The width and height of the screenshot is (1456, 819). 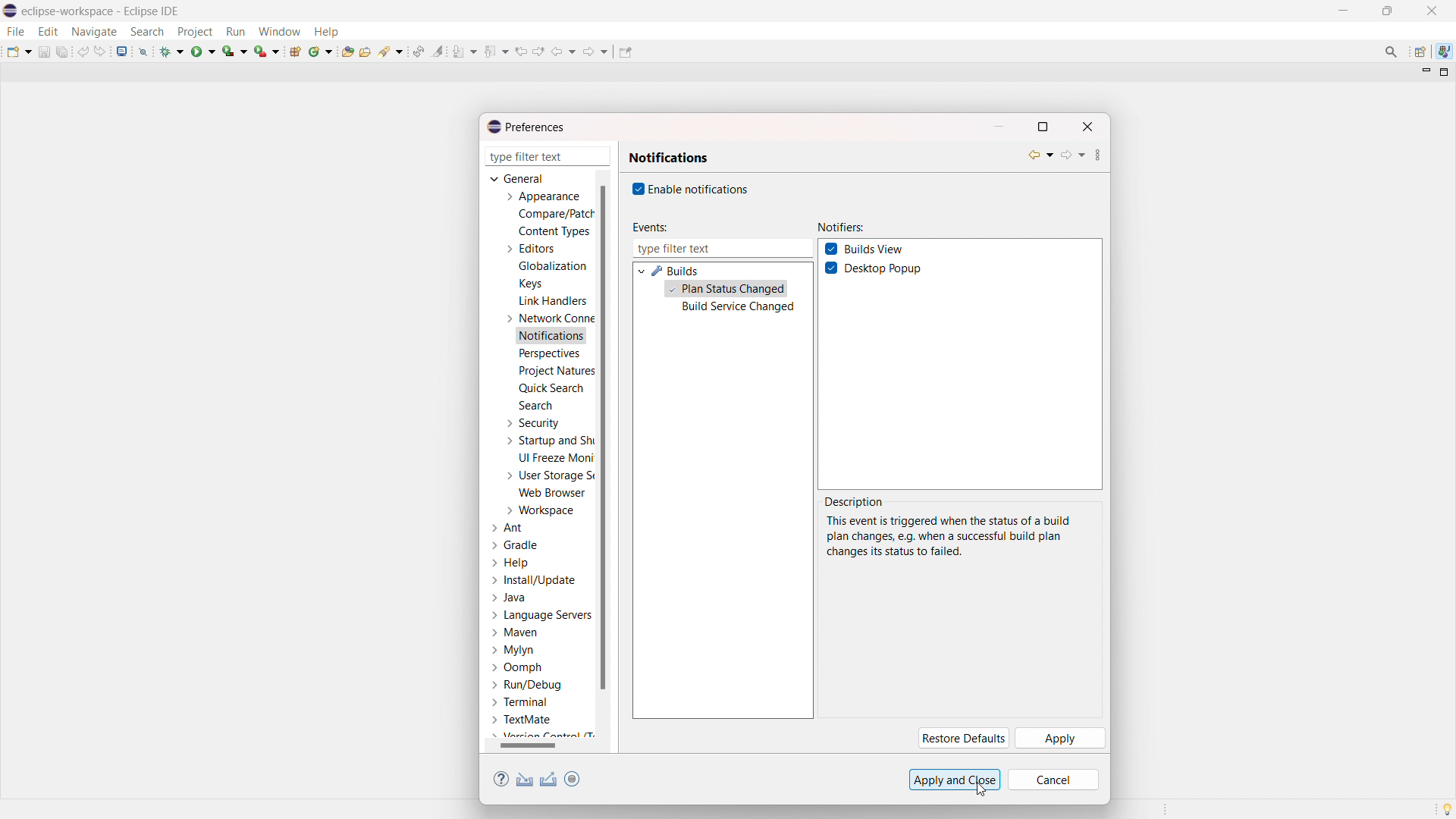 I want to click on link handlers, so click(x=553, y=301).